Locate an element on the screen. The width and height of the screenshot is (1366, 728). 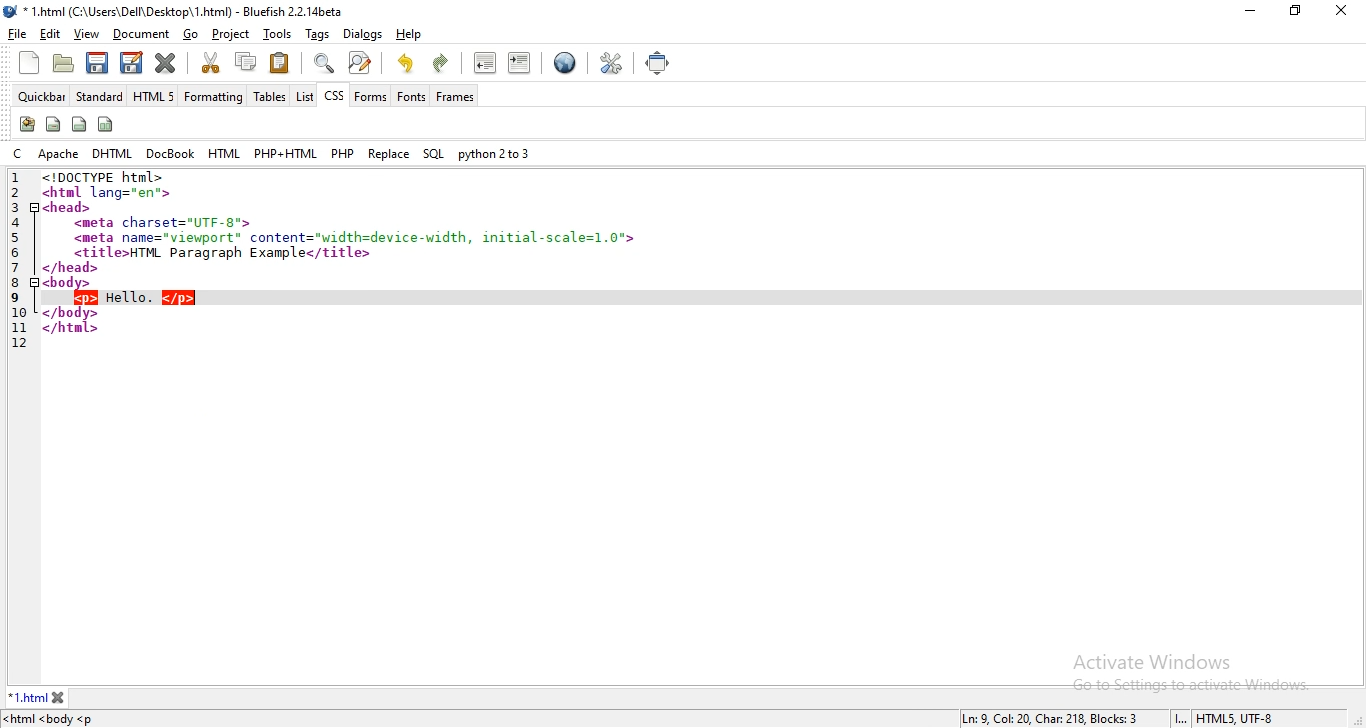
* 1.html (C:\Users\Dell\Desktop\ 1.html) - Bluefish 2.2.14beta is located at coordinates (186, 12).